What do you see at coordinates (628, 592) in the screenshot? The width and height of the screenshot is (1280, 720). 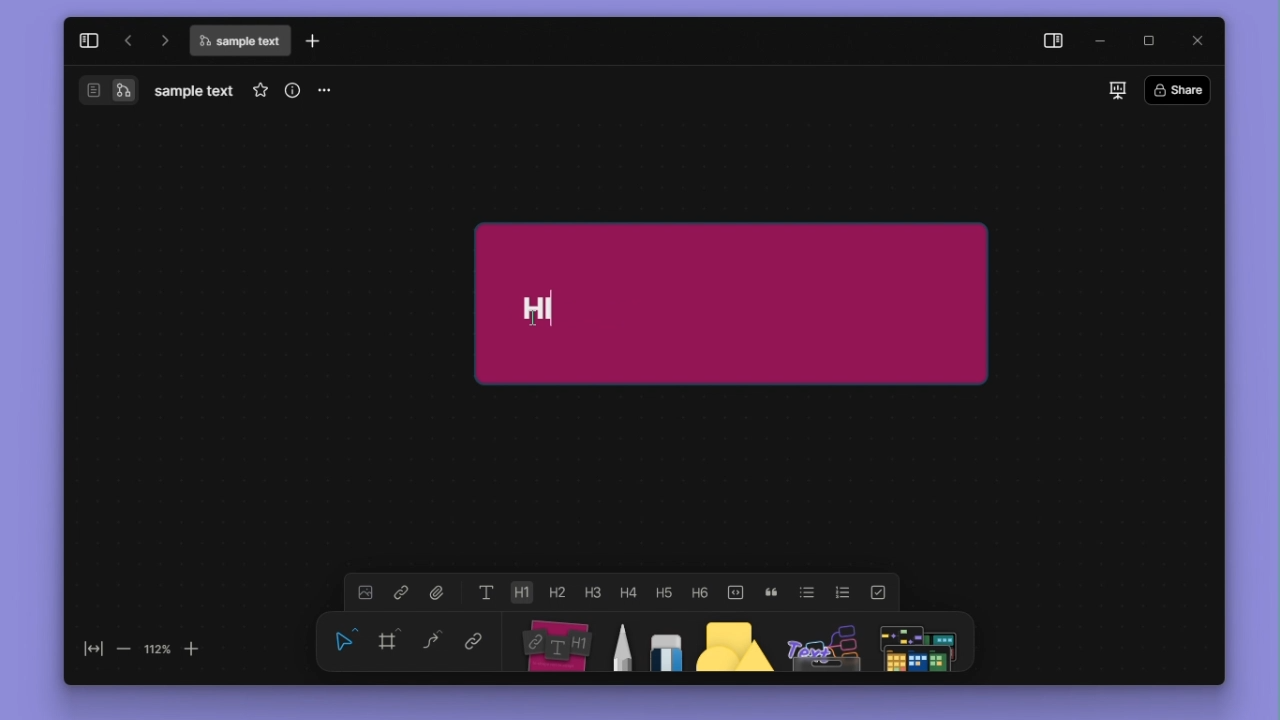 I see `Heading 4` at bounding box center [628, 592].